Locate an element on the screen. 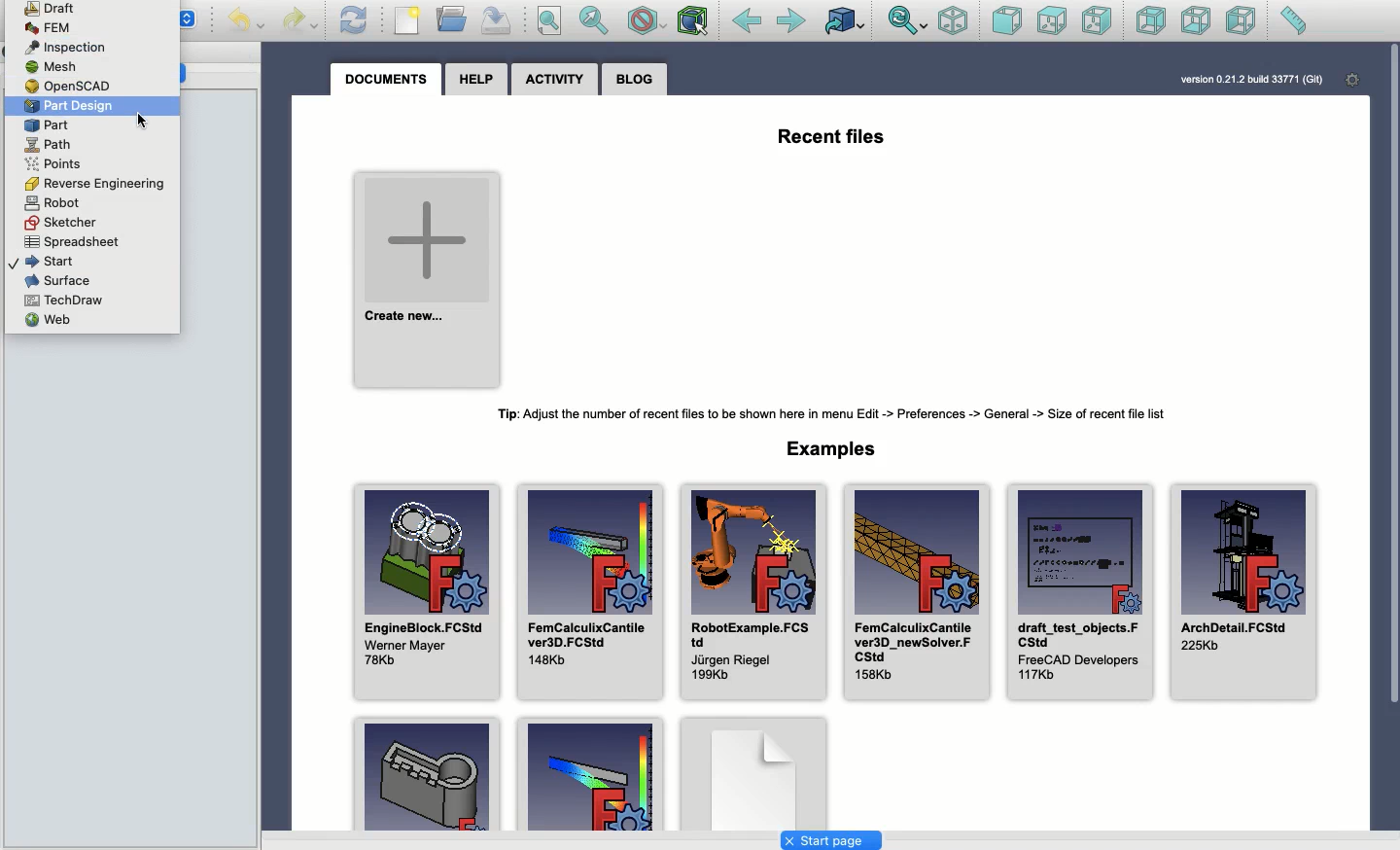  Bounding Box is located at coordinates (692, 21).